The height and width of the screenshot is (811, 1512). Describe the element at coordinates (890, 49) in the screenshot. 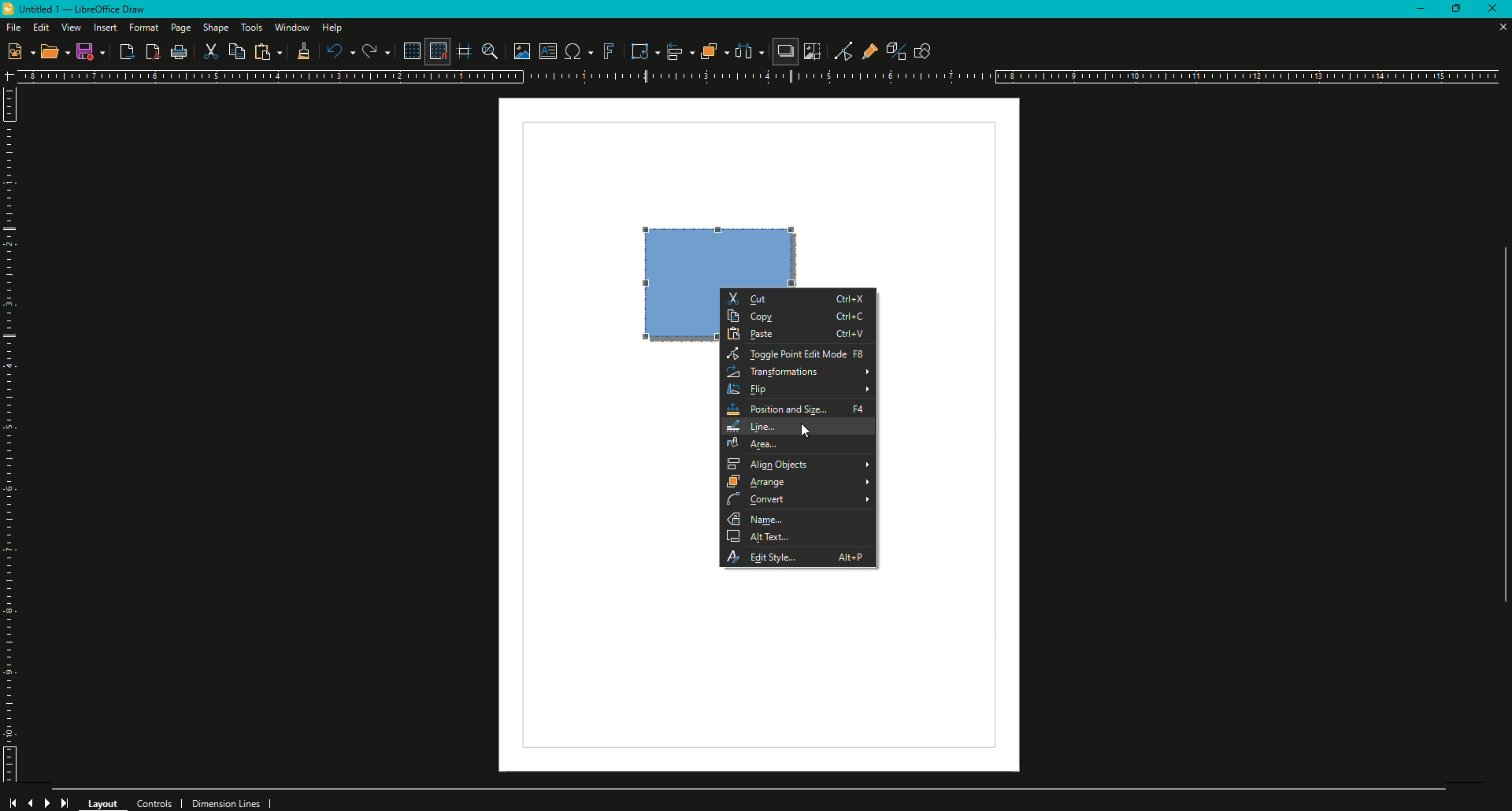

I see `Toggle Extrusion` at that location.